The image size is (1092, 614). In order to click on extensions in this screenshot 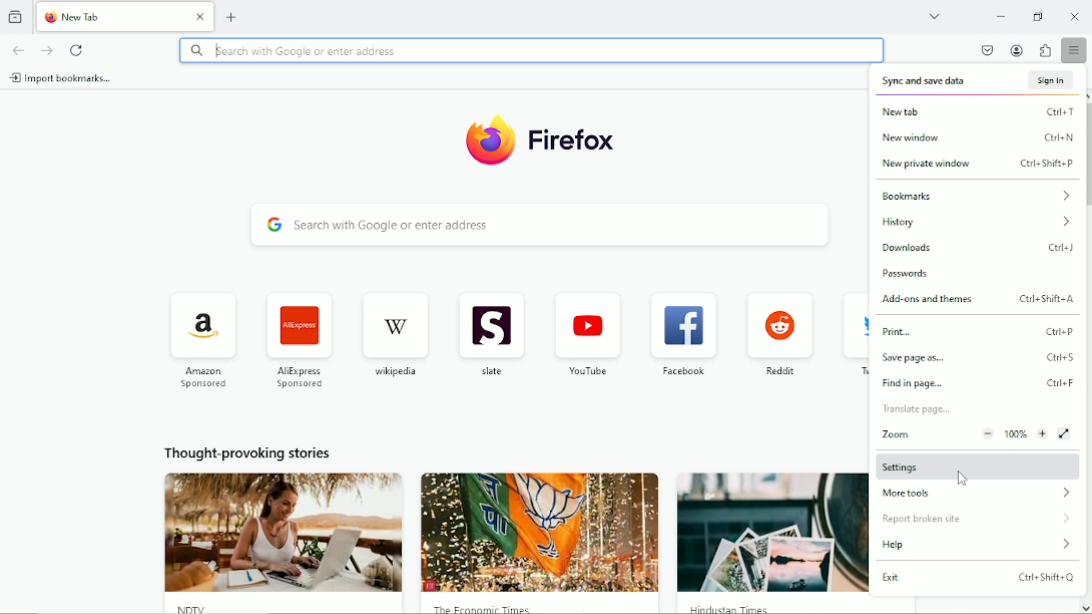, I will do `click(1044, 50)`.